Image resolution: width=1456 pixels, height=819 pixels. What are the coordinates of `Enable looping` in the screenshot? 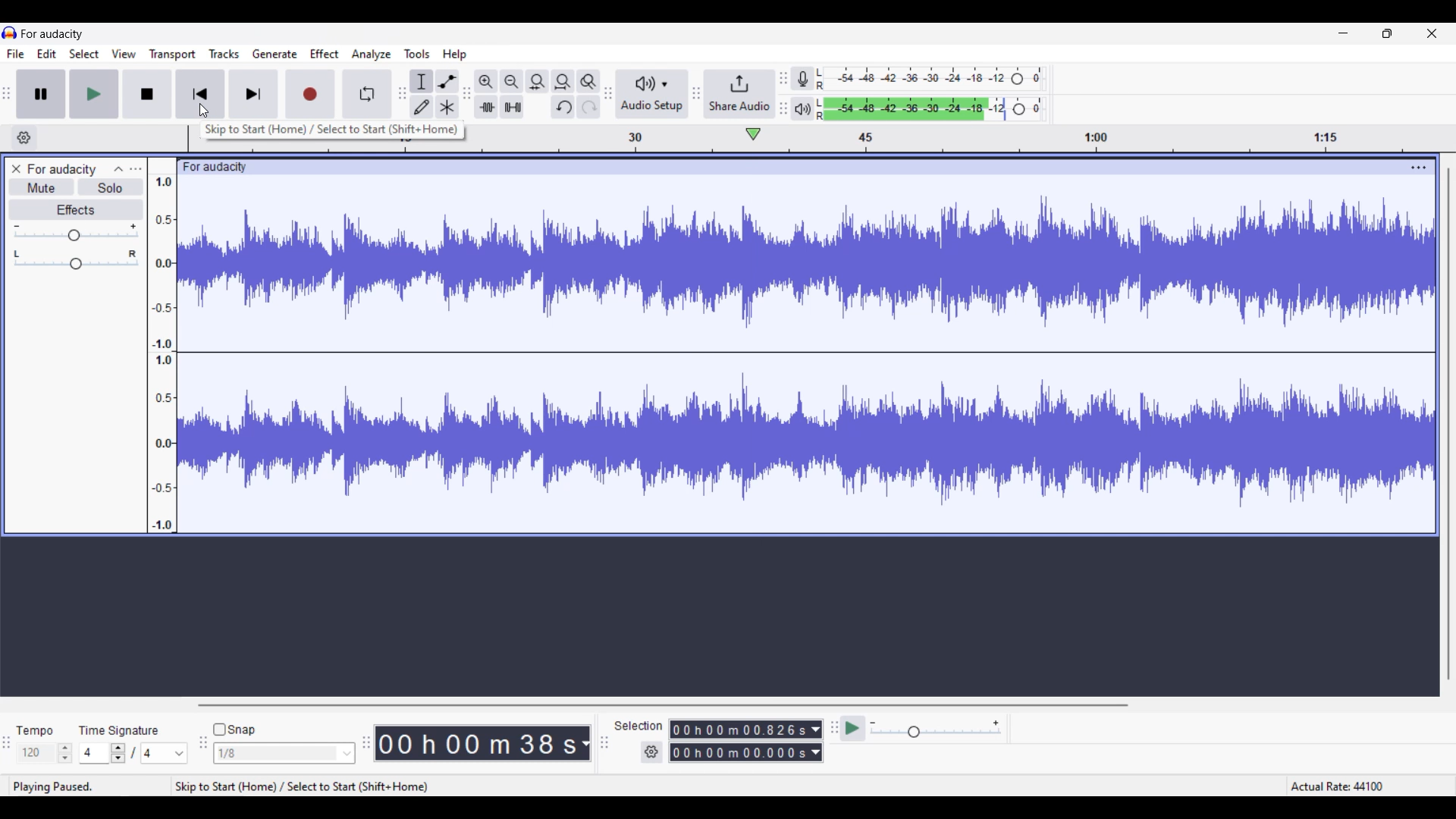 It's located at (366, 94).